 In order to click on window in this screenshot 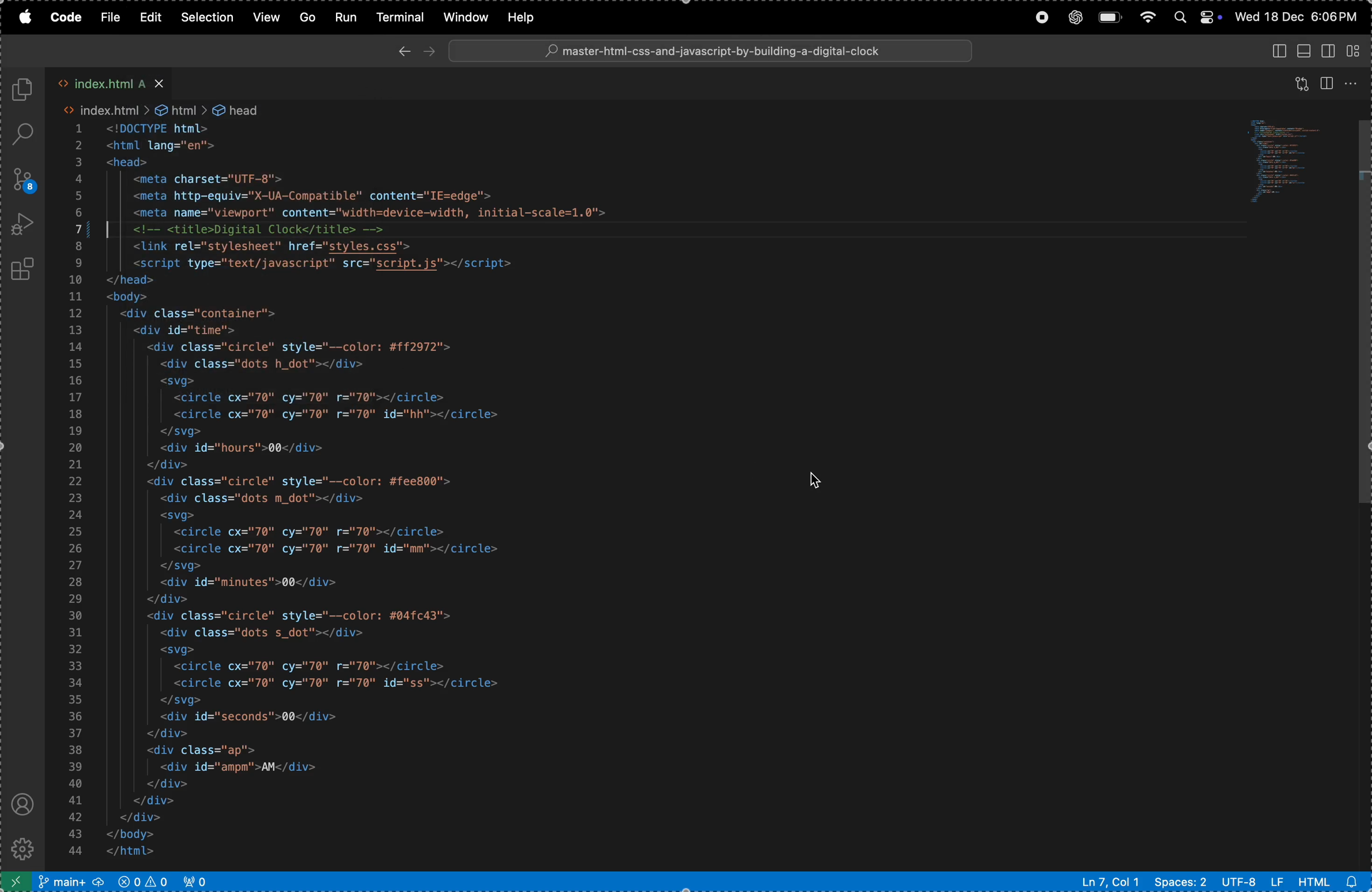, I will do `click(463, 17)`.